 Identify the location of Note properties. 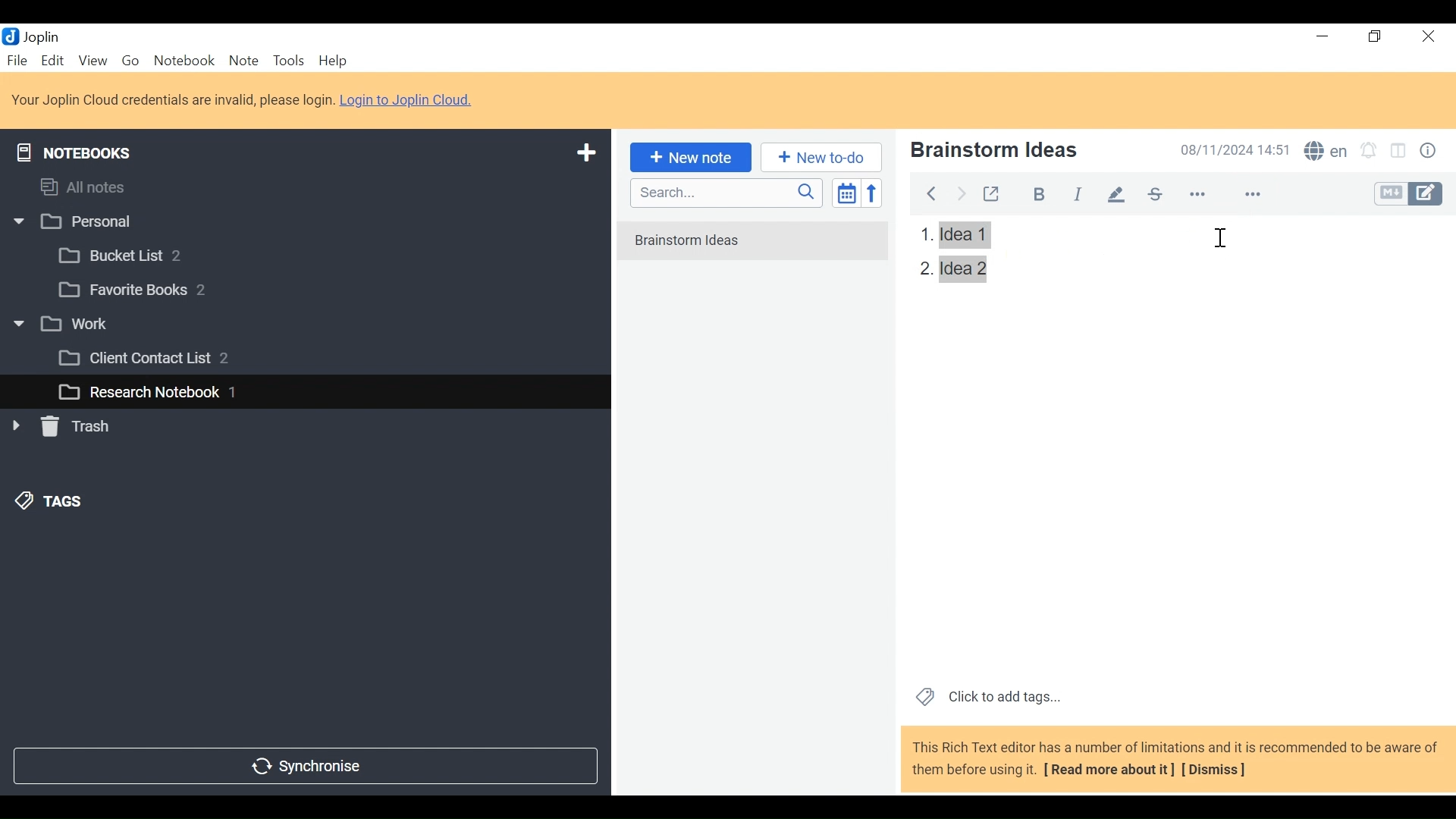
(1431, 152).